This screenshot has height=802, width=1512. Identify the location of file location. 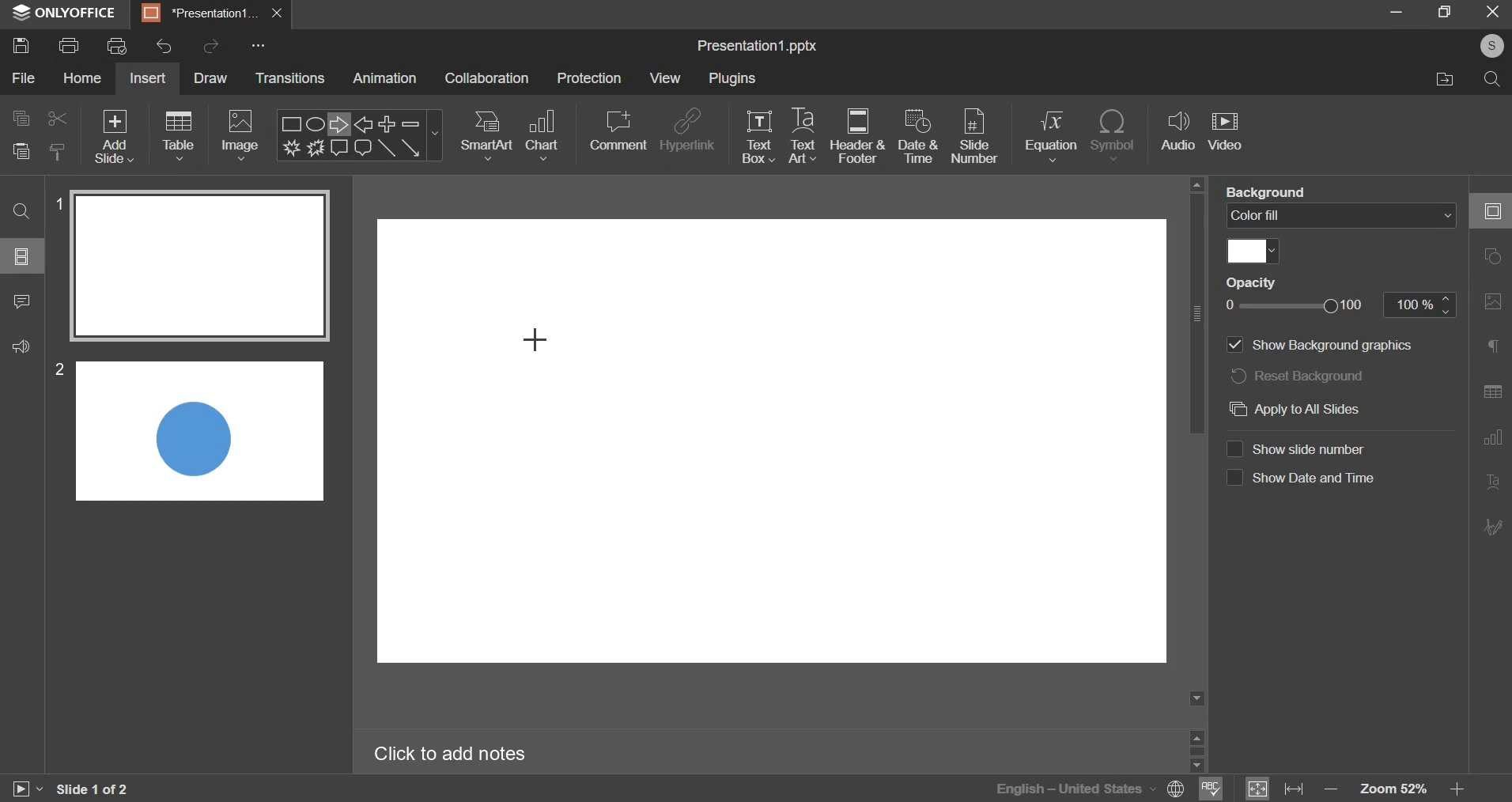
(1446, 81).